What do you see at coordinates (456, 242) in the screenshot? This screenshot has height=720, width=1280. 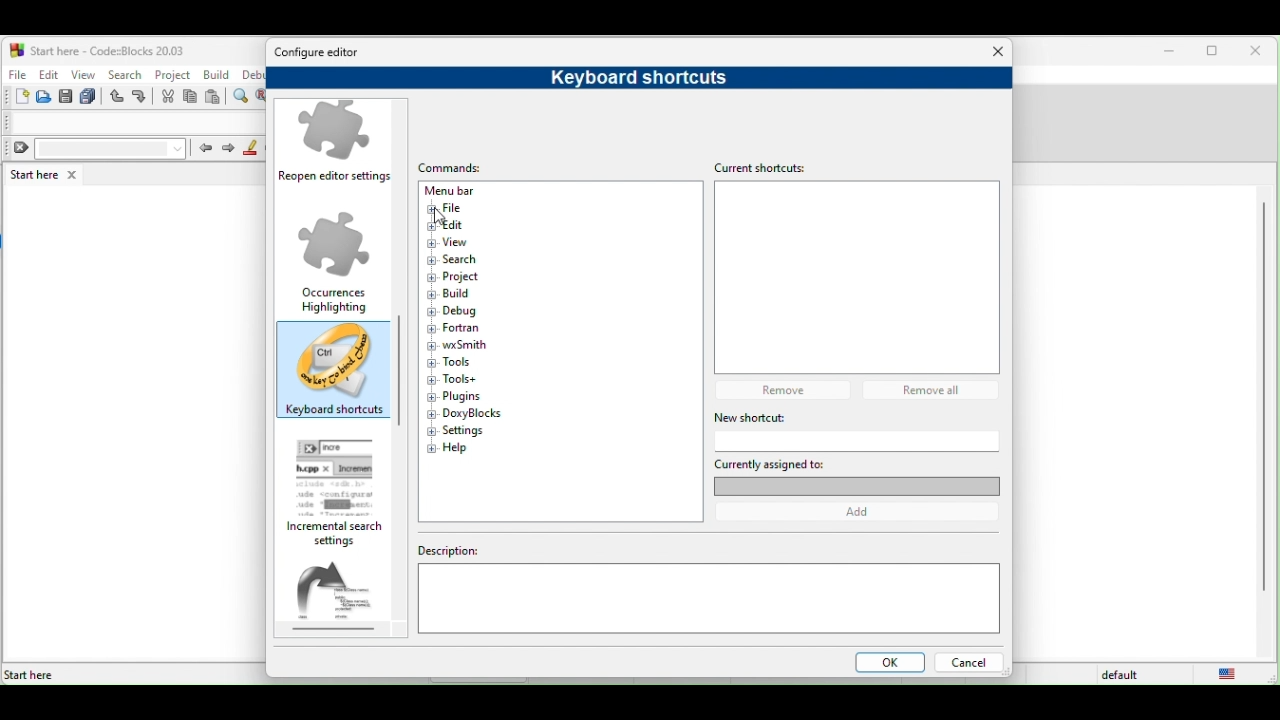 I see `view` at bounding box center [456, 242].